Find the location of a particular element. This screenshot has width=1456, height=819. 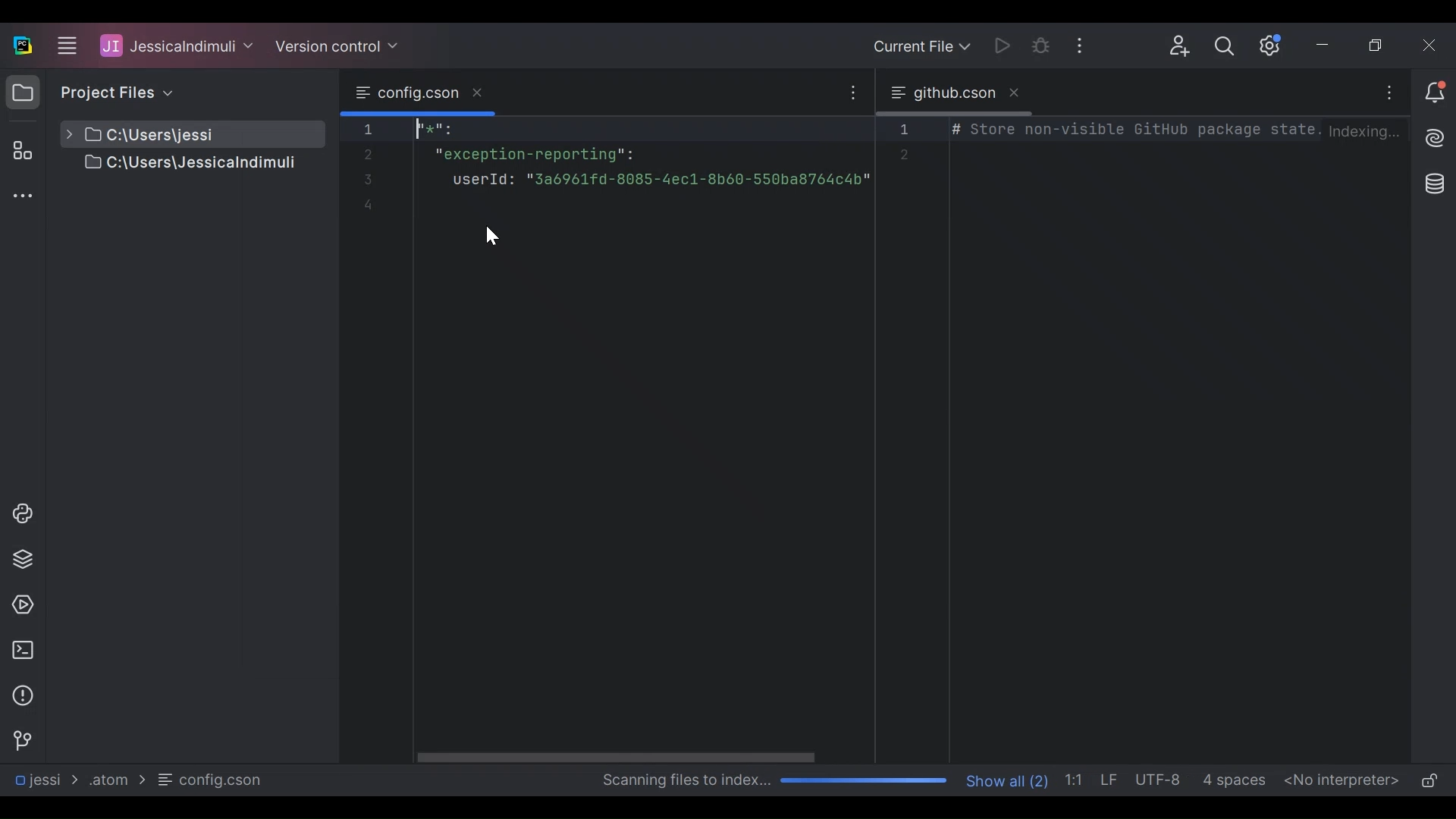

Project File View is located at coordinates (118, 92).